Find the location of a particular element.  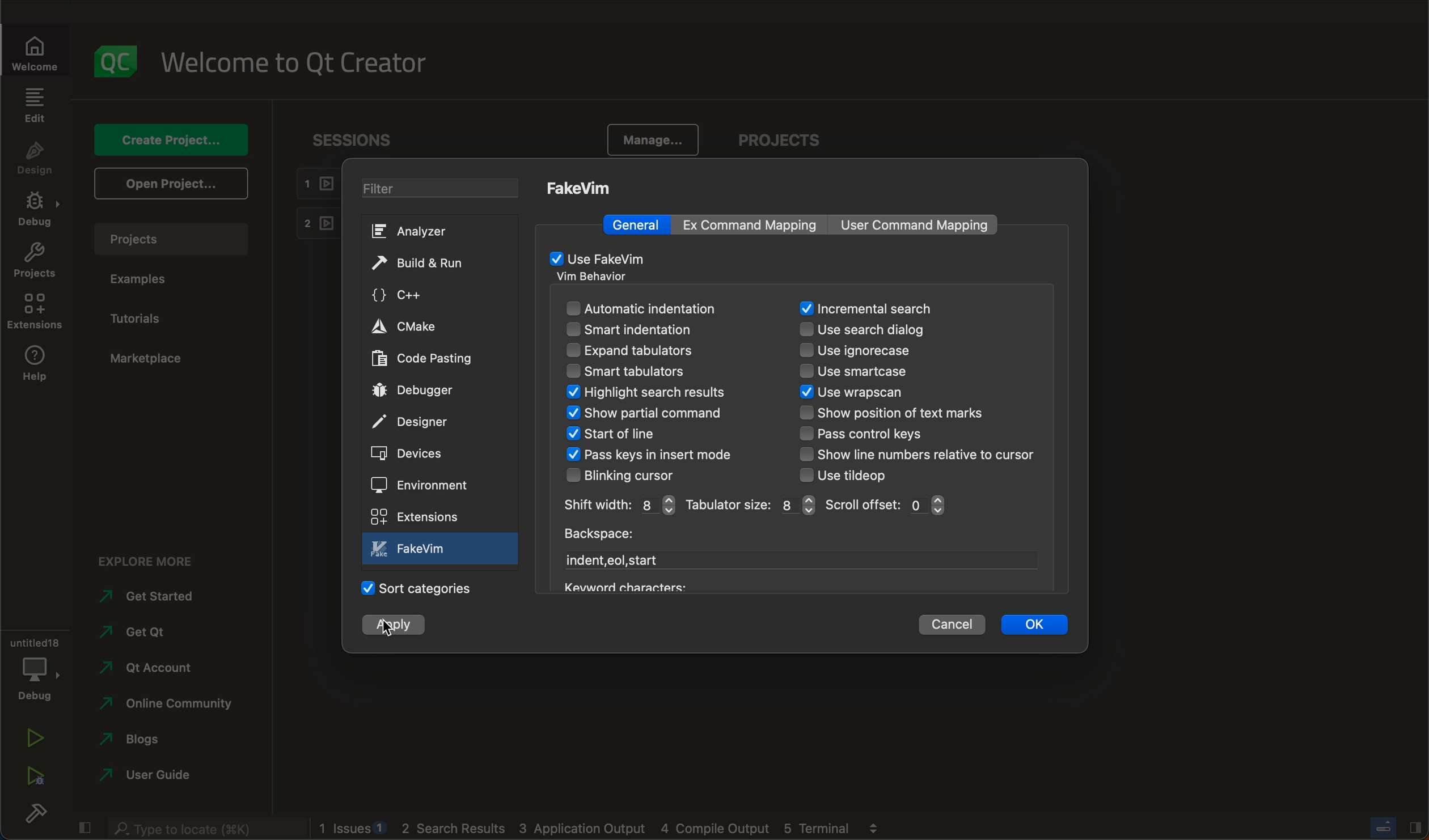

search bar is located at coordinates (208, 828).